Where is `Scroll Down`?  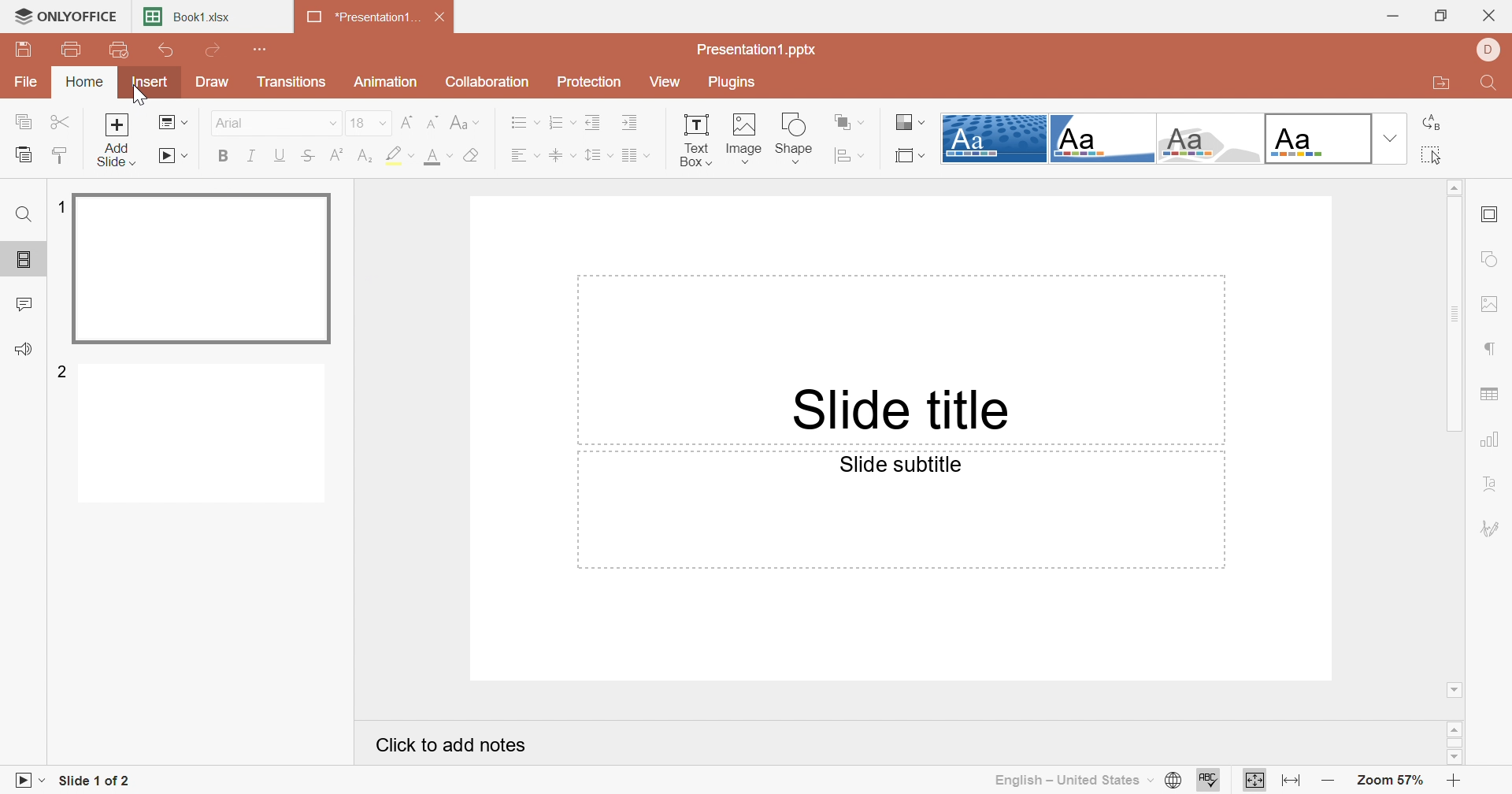 Scroll Down is located at coordinates (1456, 688).